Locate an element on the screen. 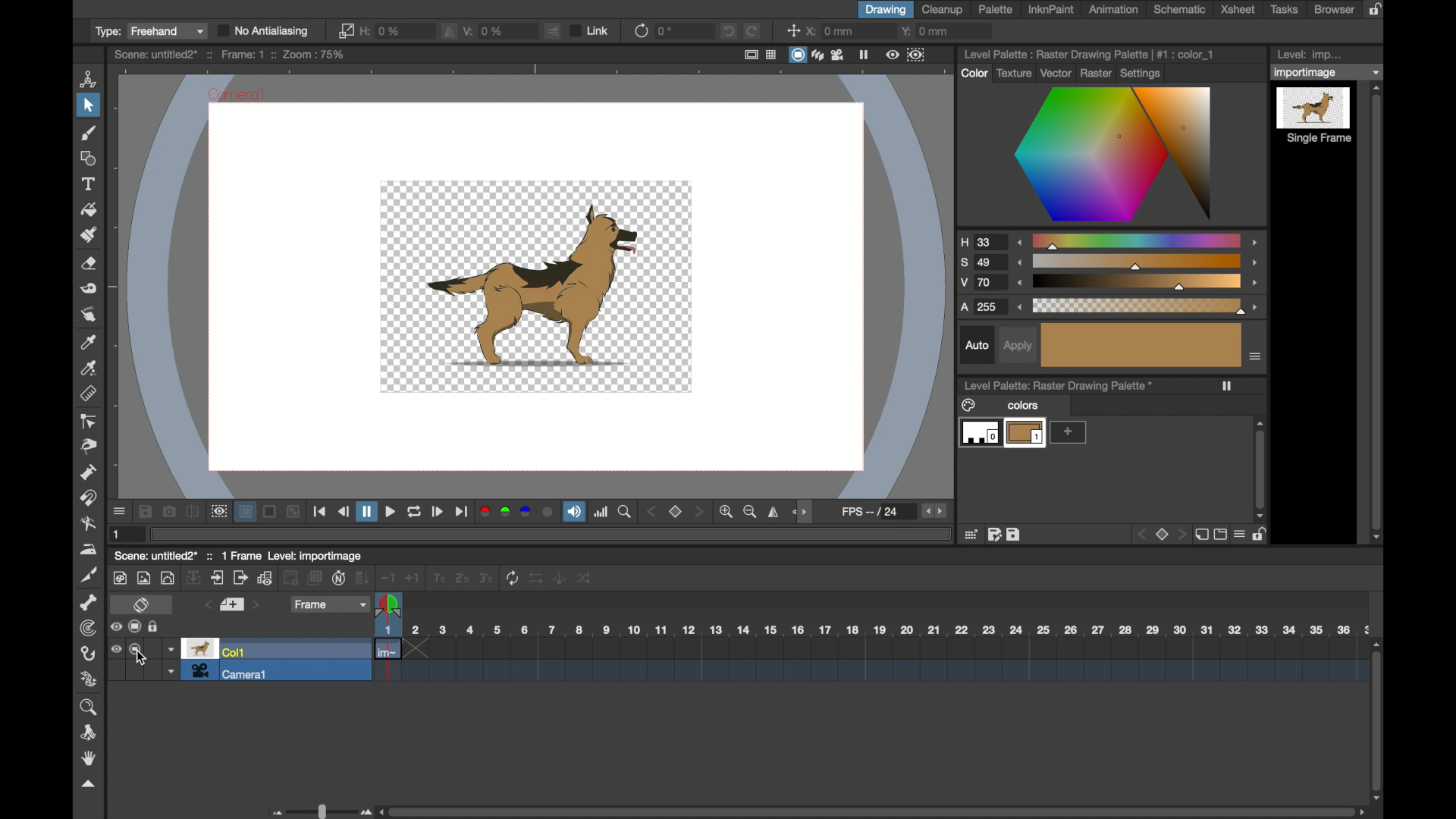 This screenshot has height=819, width=1456. camera1 is located at coordinates (232, 672).